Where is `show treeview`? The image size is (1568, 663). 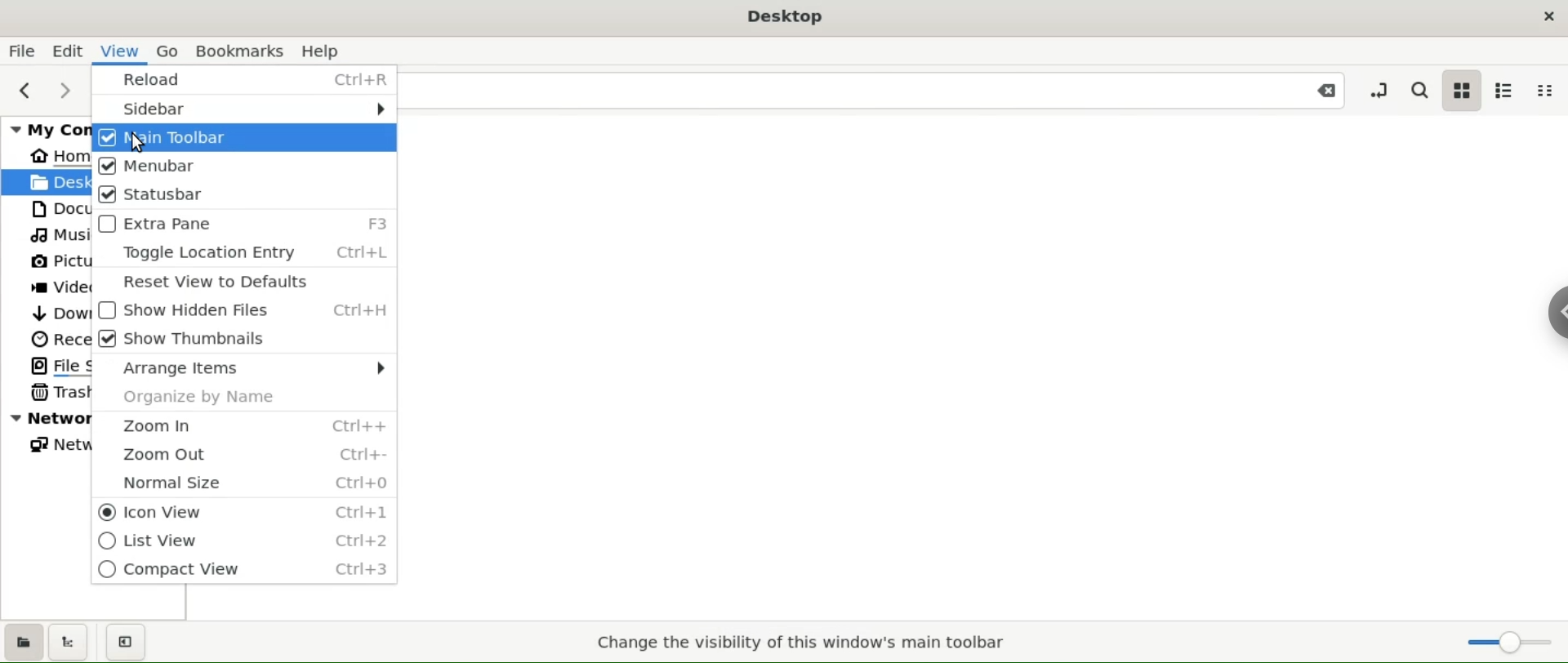
show treeview is located at coordinates (73, 641).